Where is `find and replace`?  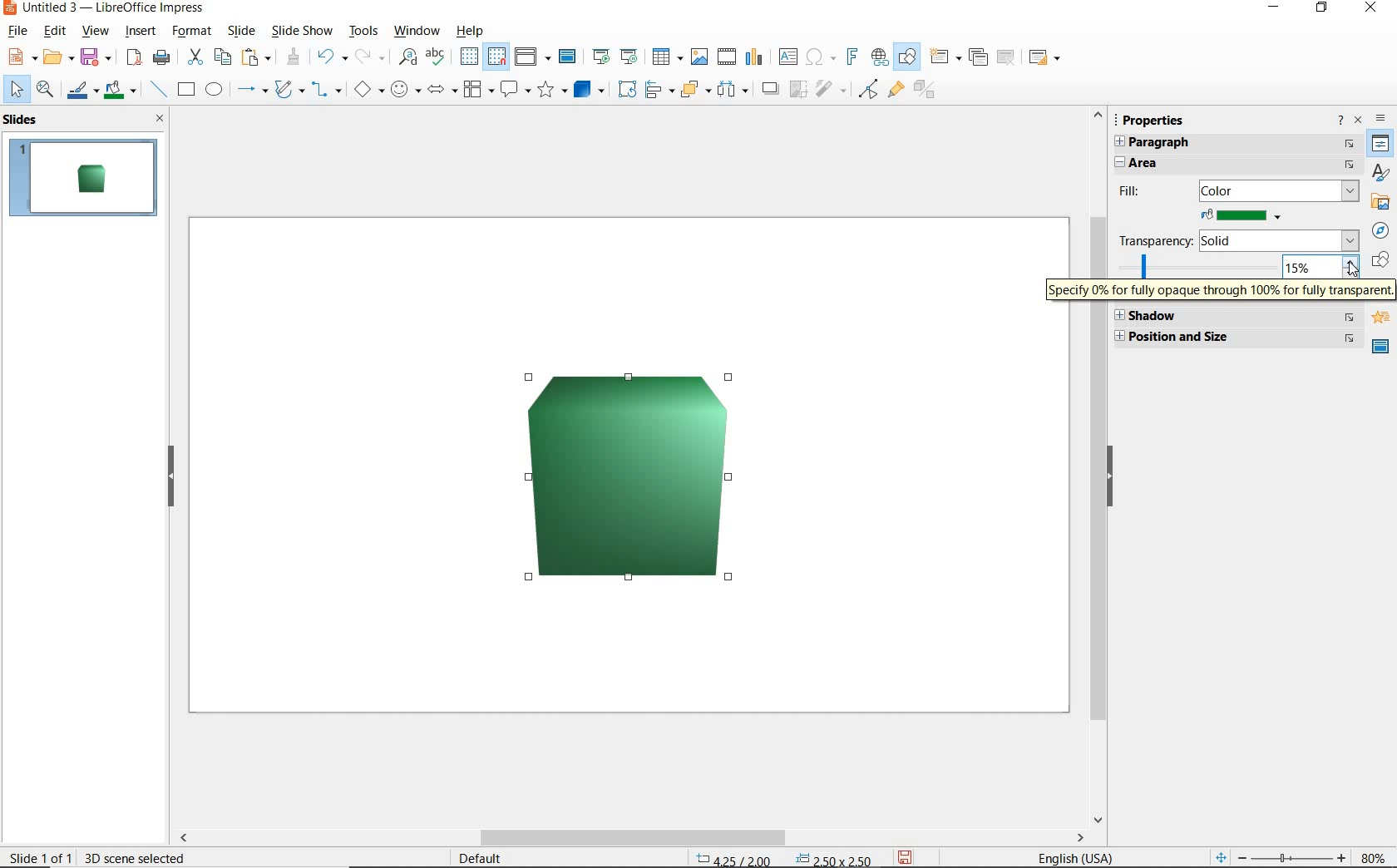
find and replace is located at coordinates (406, 57).